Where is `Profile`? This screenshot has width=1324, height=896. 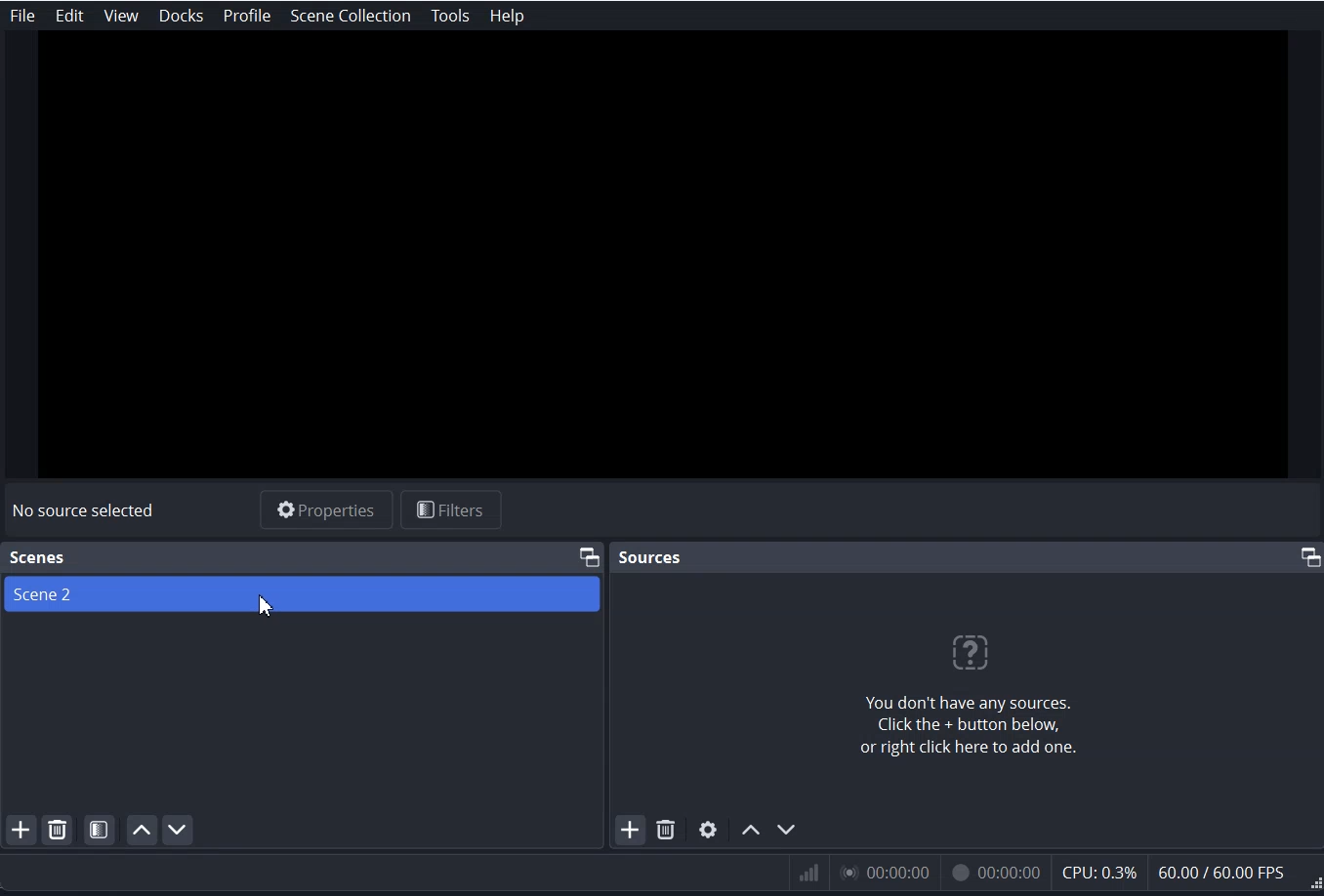 Profile is located at coordinates (248, 17).